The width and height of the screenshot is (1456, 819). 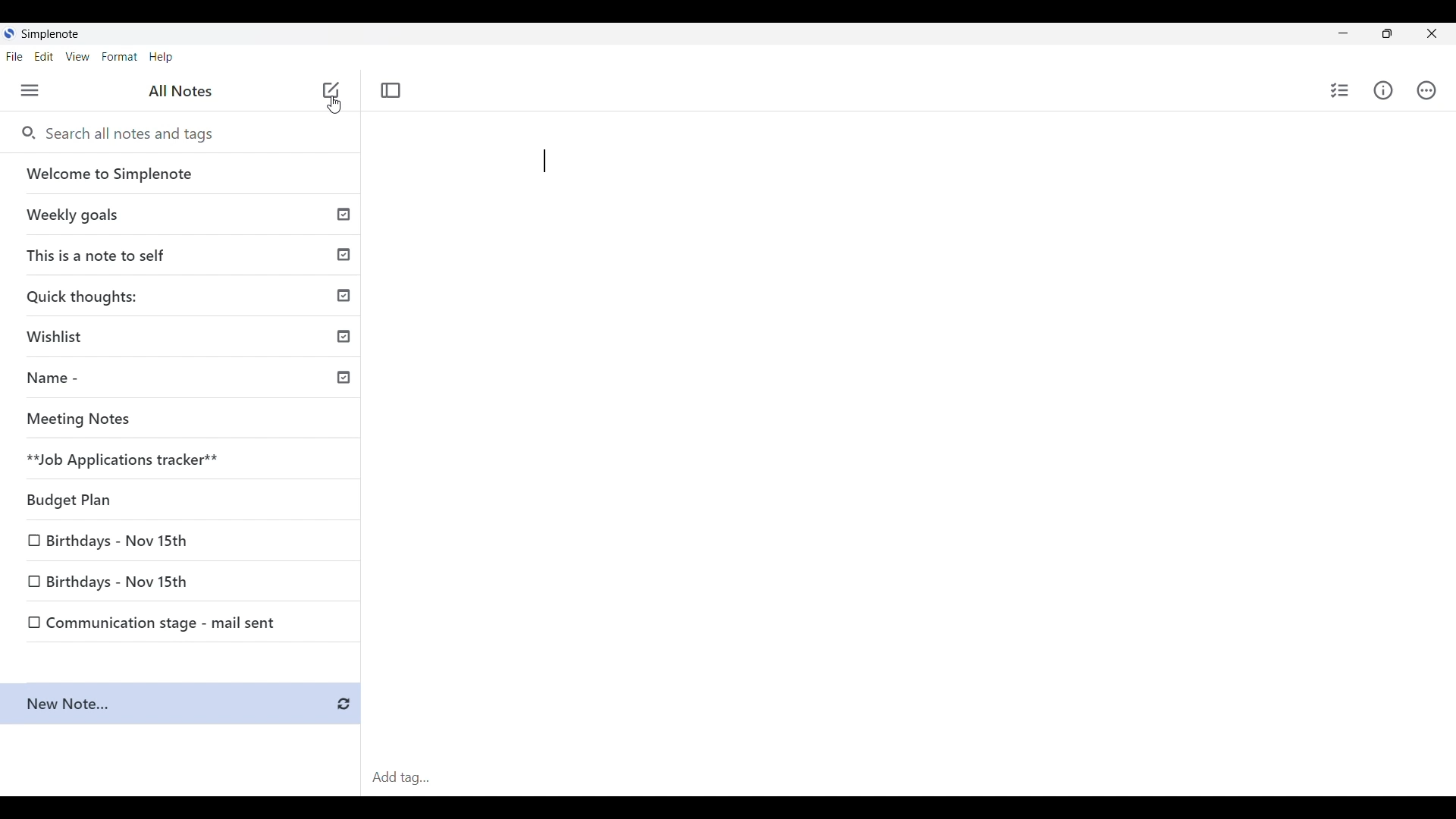 What do you see at coordinates (1426, 90) in the screenshot?
I see `Actions` at bounding box center [1426, 90].